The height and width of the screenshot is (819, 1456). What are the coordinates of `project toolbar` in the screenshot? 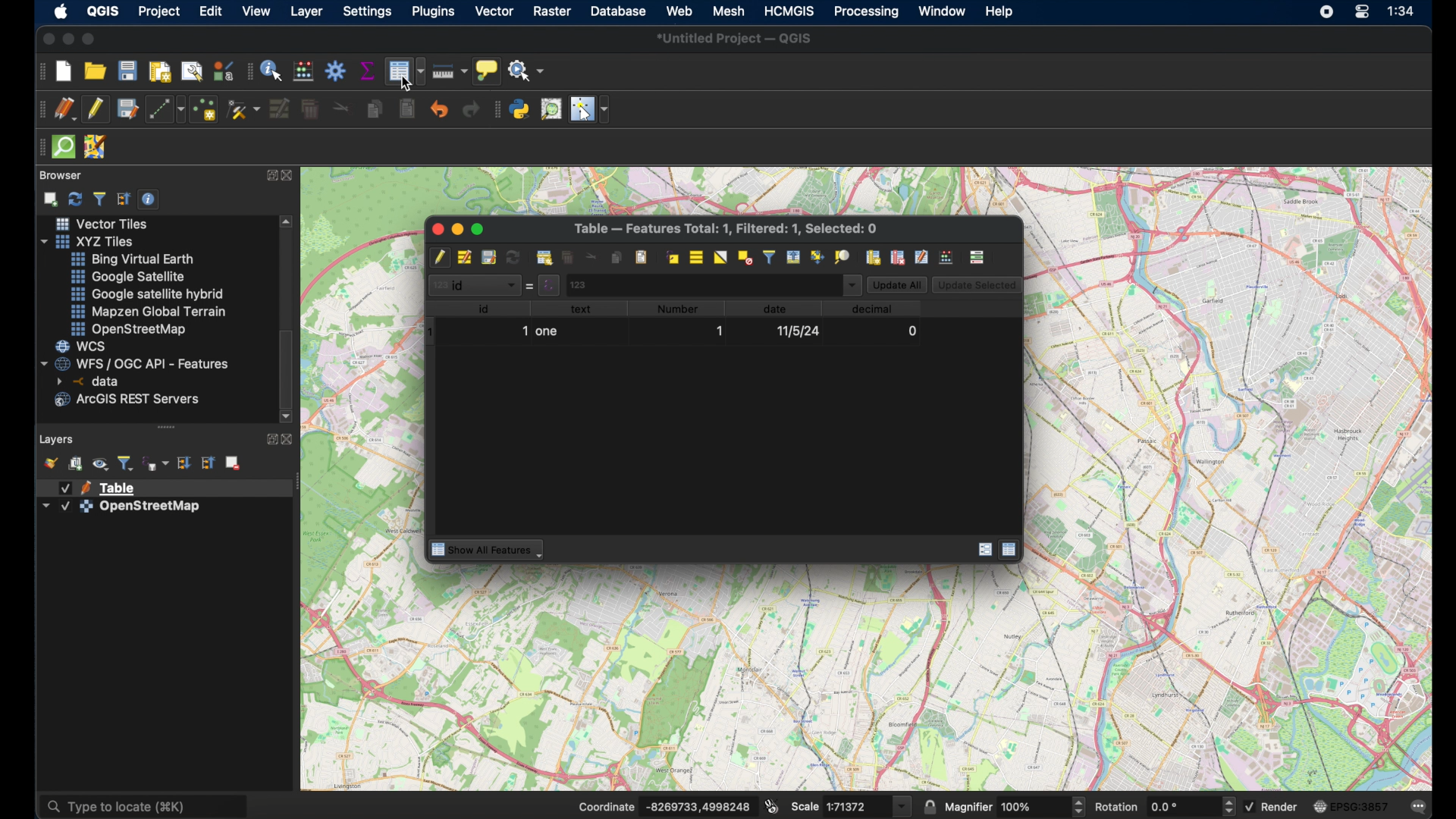 It's located at (39, 72).